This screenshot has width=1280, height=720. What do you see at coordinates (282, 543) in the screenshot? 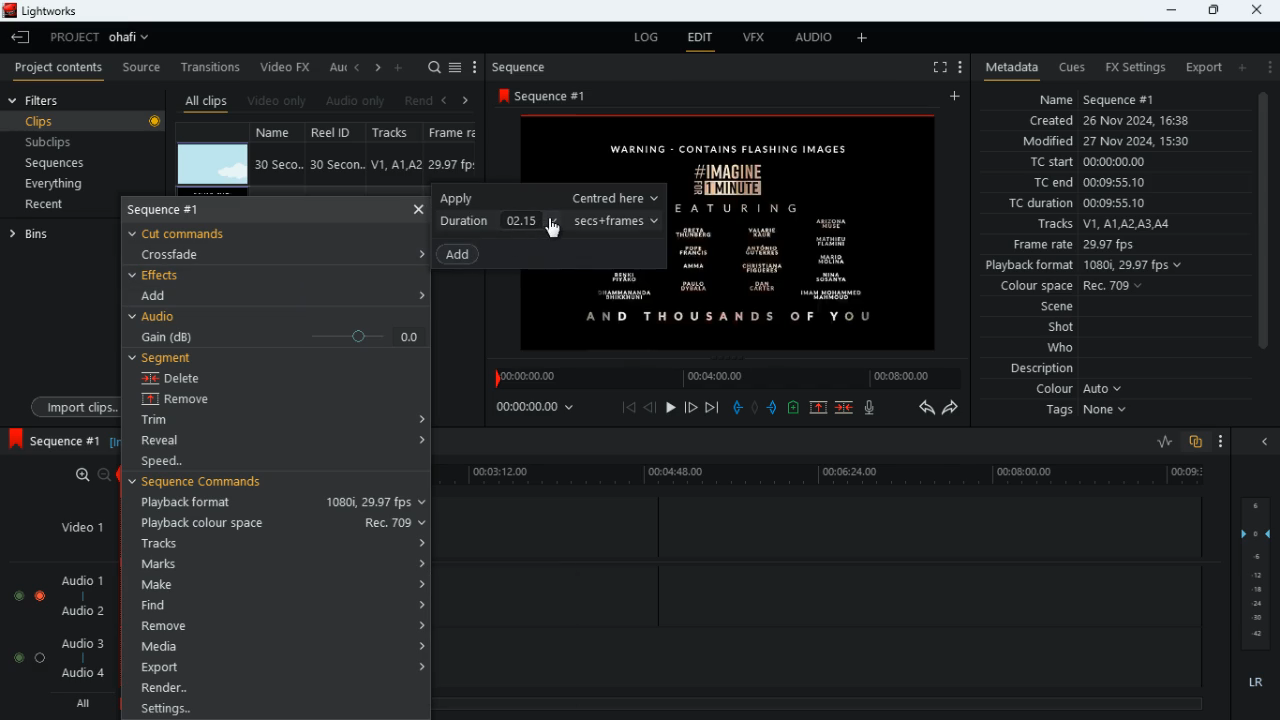
I see `tracks` at bounding box center [282, 543].